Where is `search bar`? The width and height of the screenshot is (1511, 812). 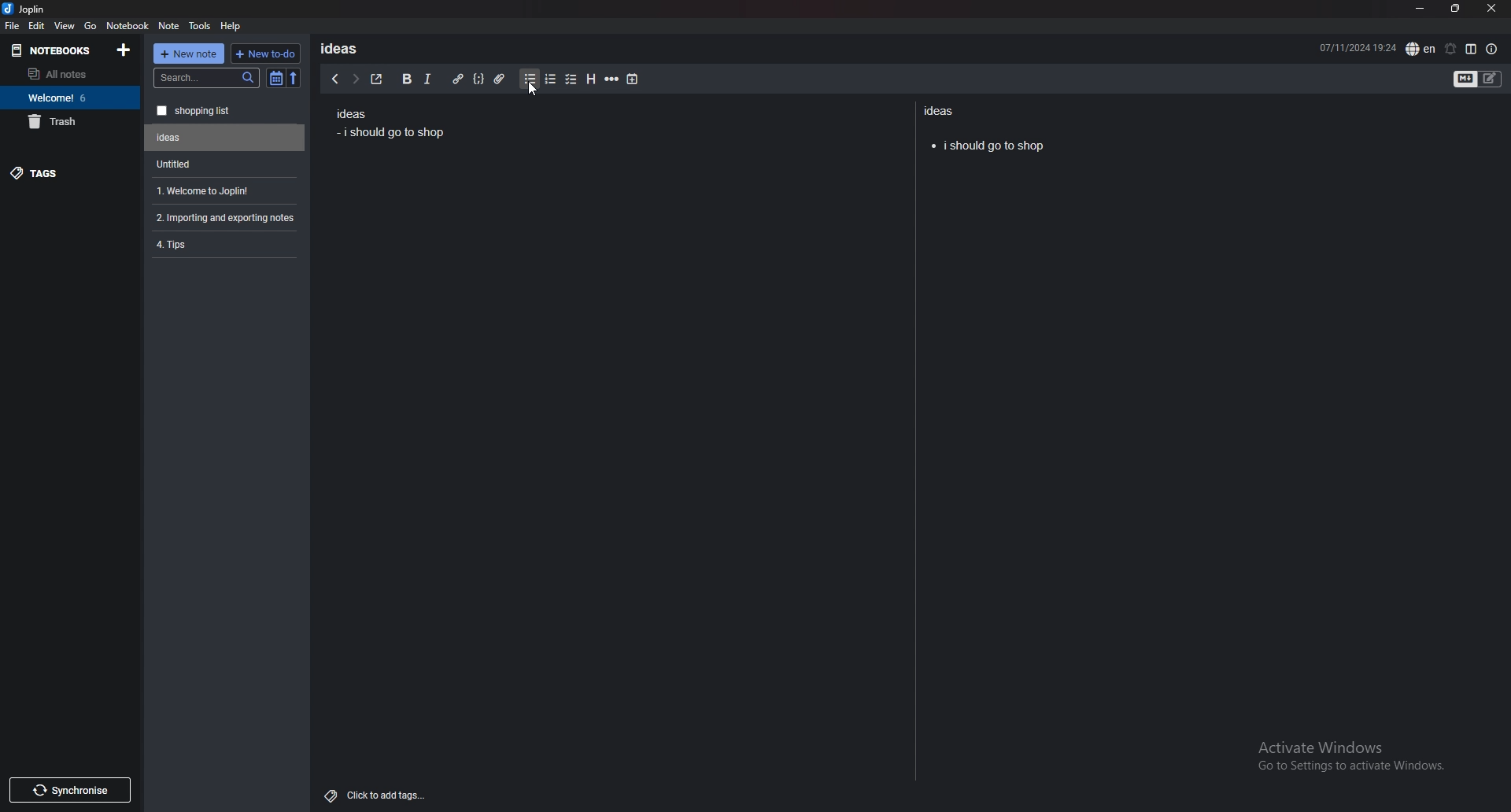
search bar is located at coordinates (207, 78).